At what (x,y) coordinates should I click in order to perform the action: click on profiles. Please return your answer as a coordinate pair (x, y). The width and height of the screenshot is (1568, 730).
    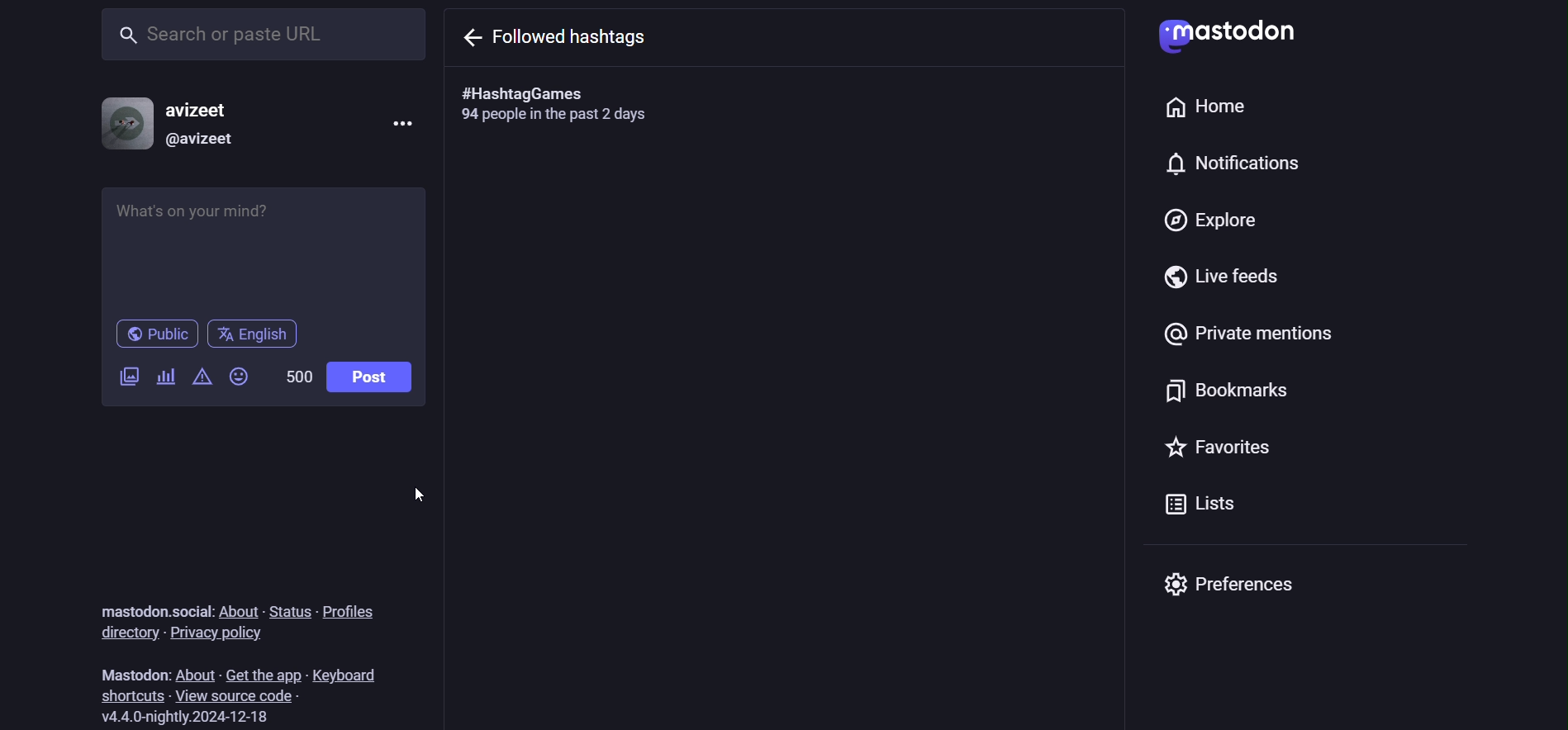
    Looking at the image, I should click on (363, 610).